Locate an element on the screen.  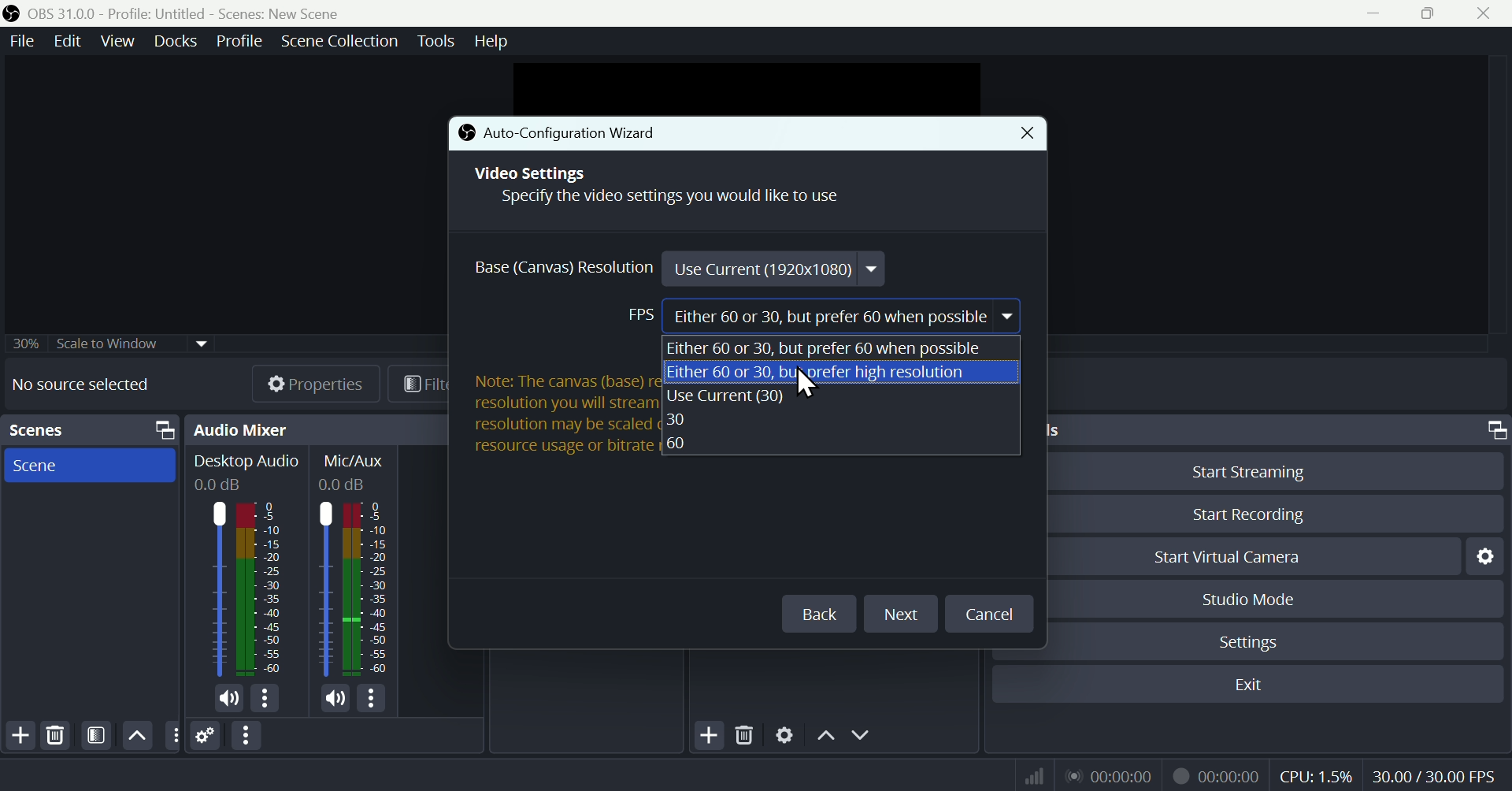
30% is located at coordinates (23, 343).